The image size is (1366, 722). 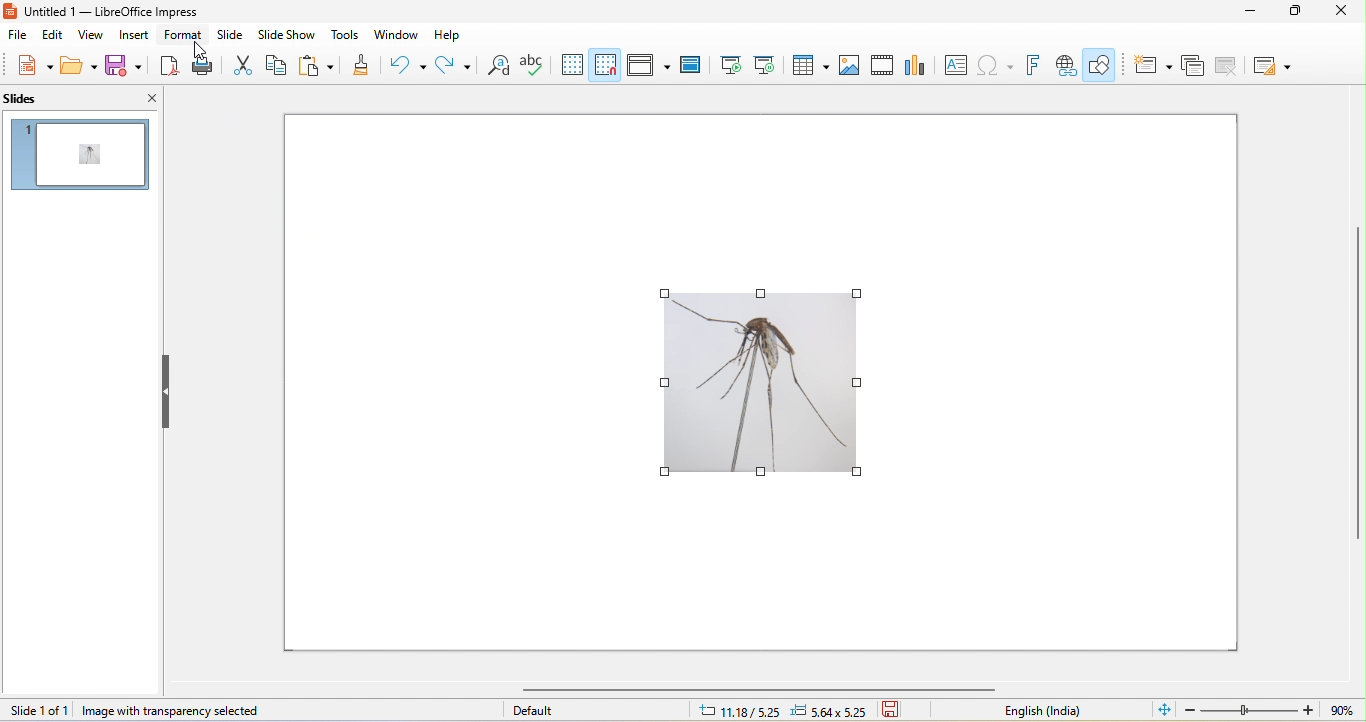 What do you see at coordinates (92, 35) in the screenshot?
I see `view` at bounding box center [92, 35].